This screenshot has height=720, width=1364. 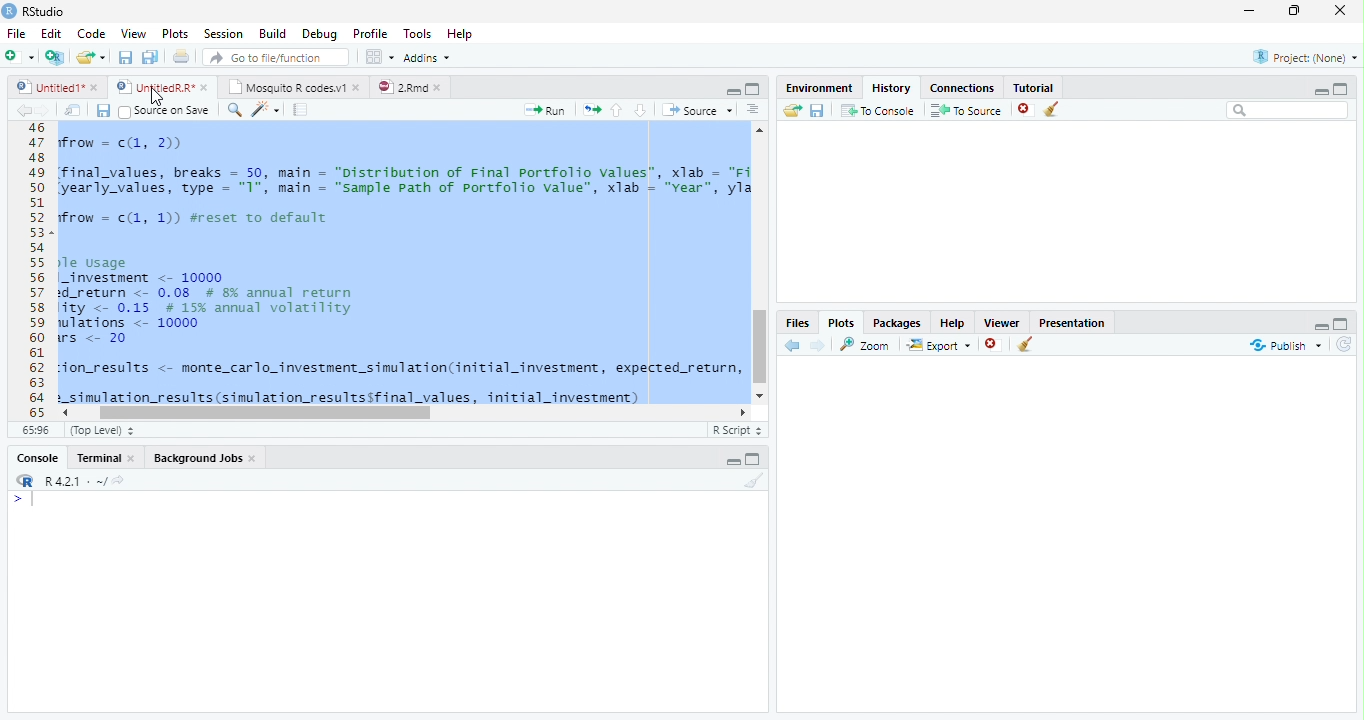 What do you see at coordinates (760, 132) in the screenshot?
I see `Scroll Up` at bounding box center [760, 132].